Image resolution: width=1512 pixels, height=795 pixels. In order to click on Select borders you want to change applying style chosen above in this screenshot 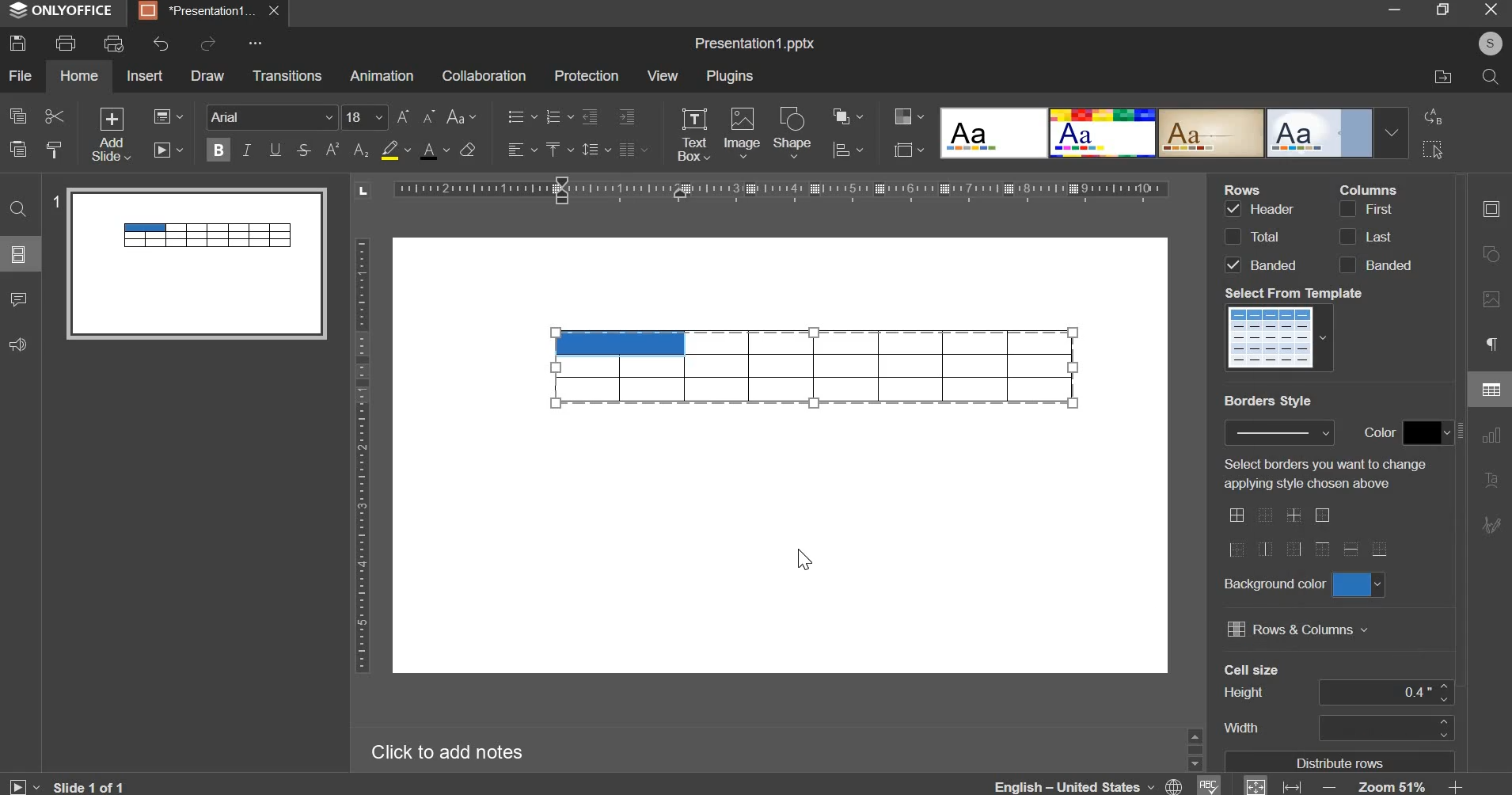, I will do `click(1322, 474)`.